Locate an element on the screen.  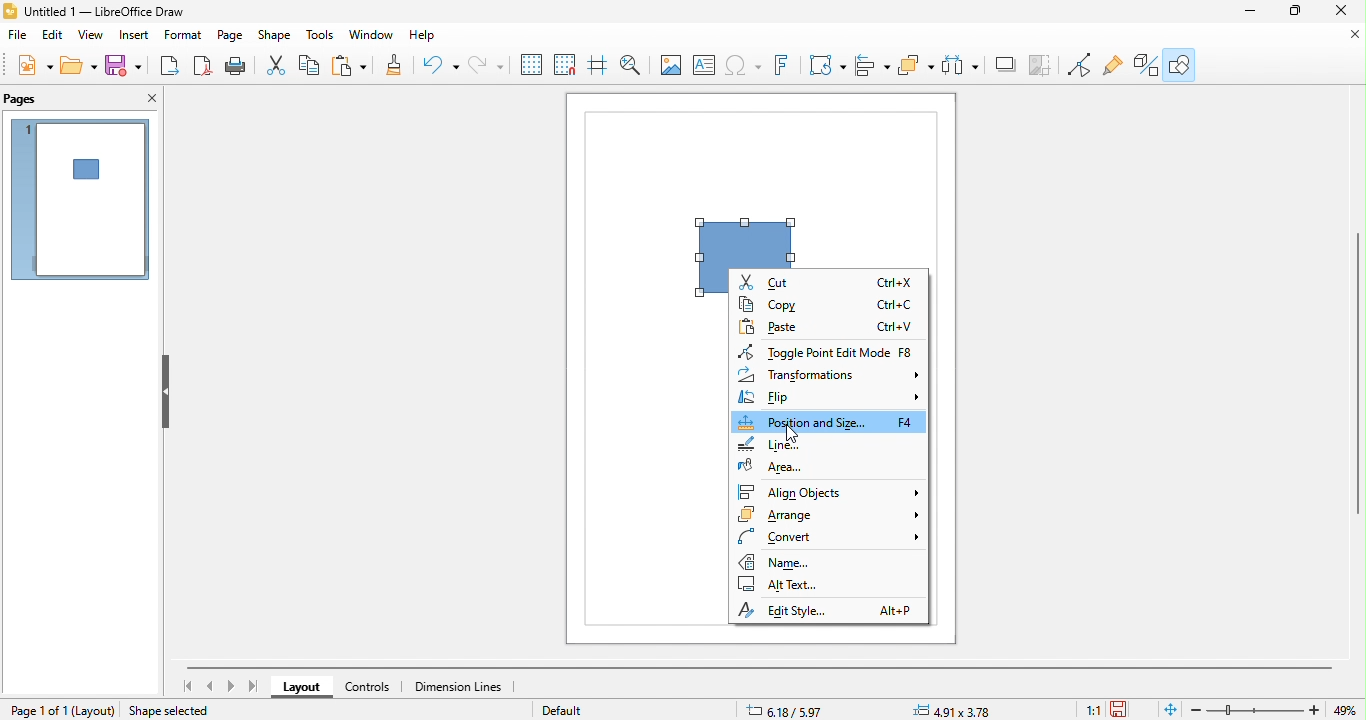
helplines while moving is located at coordinates (603, 66).